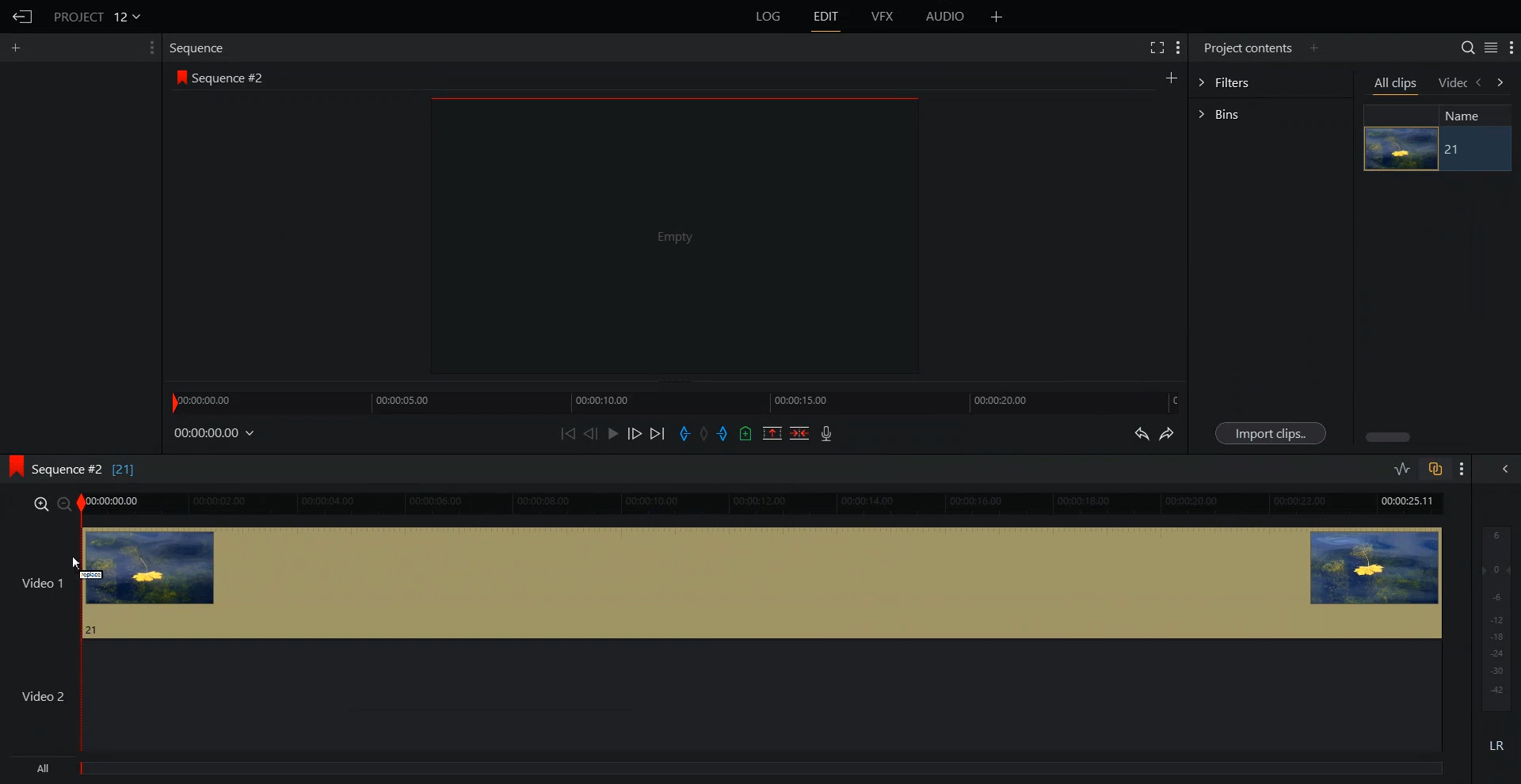  What do you see at coordinates (760, 696) in the screenshot?
I see `Video 2` at bounding box center [760, 696].